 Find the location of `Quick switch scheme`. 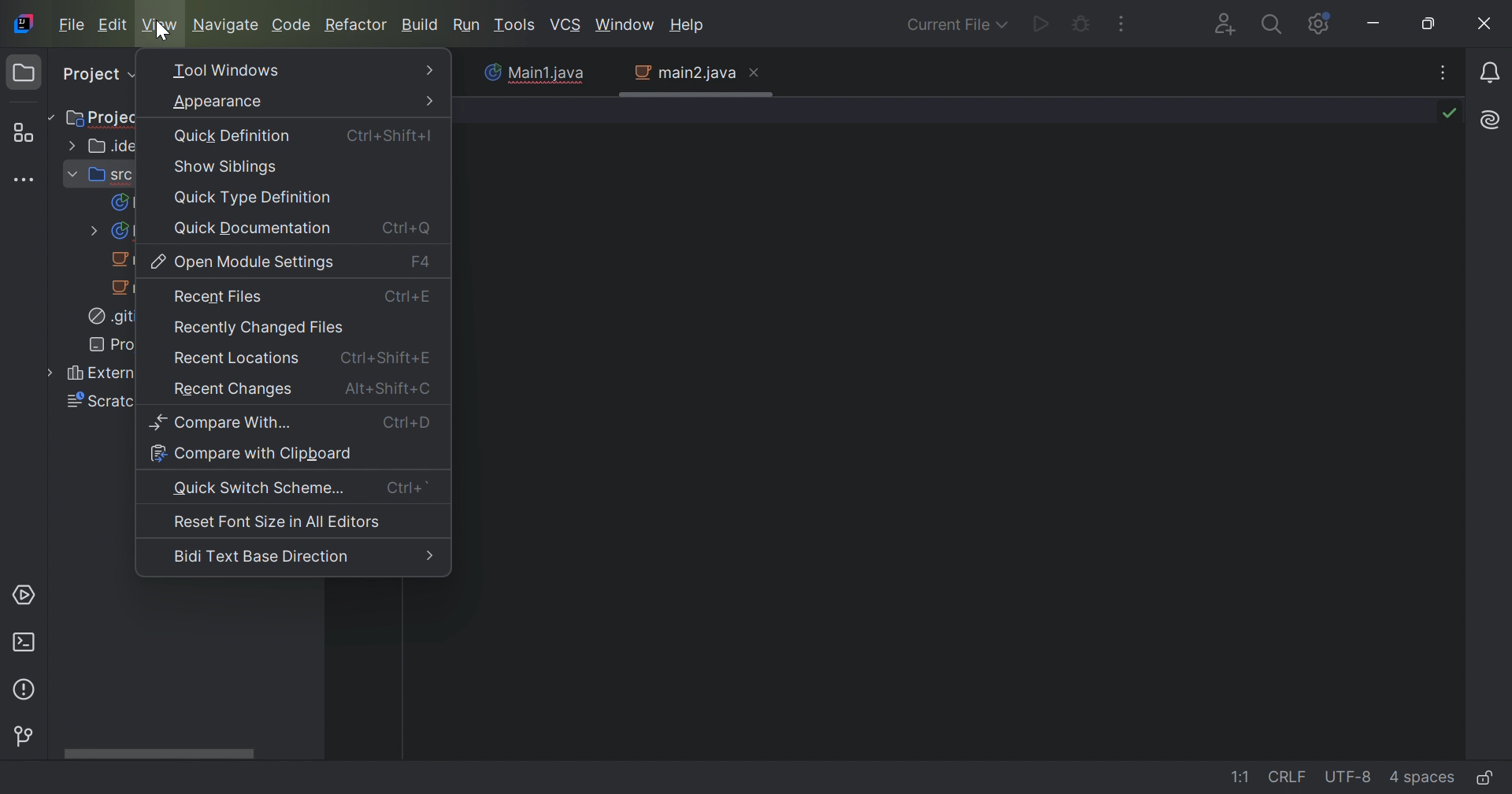

Quick switch scheme is located at coordinates (261, 488).